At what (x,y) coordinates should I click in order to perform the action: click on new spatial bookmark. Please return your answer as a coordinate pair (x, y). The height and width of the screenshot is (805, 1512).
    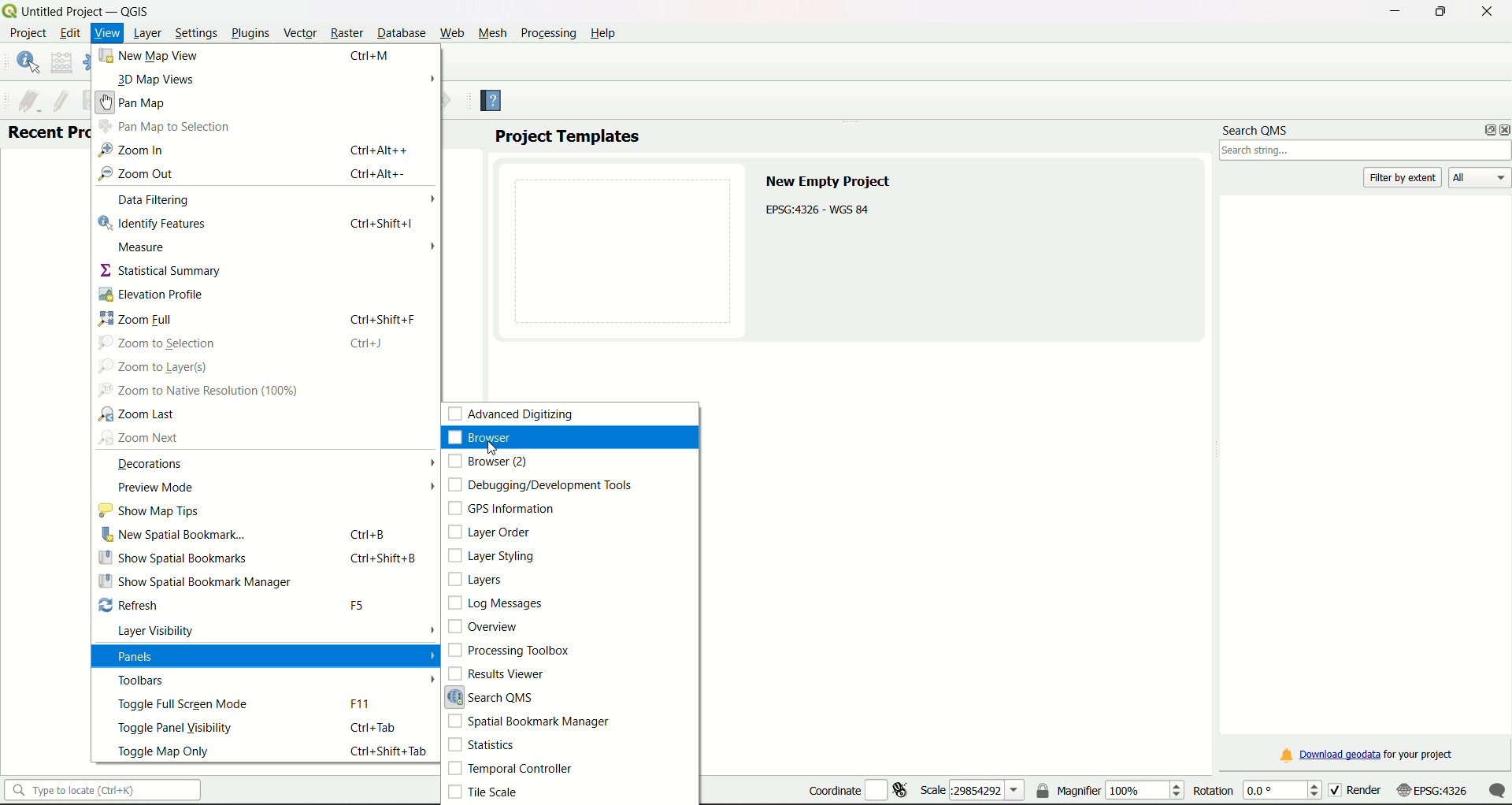
    Looking at the image, I should click on (174, 534).